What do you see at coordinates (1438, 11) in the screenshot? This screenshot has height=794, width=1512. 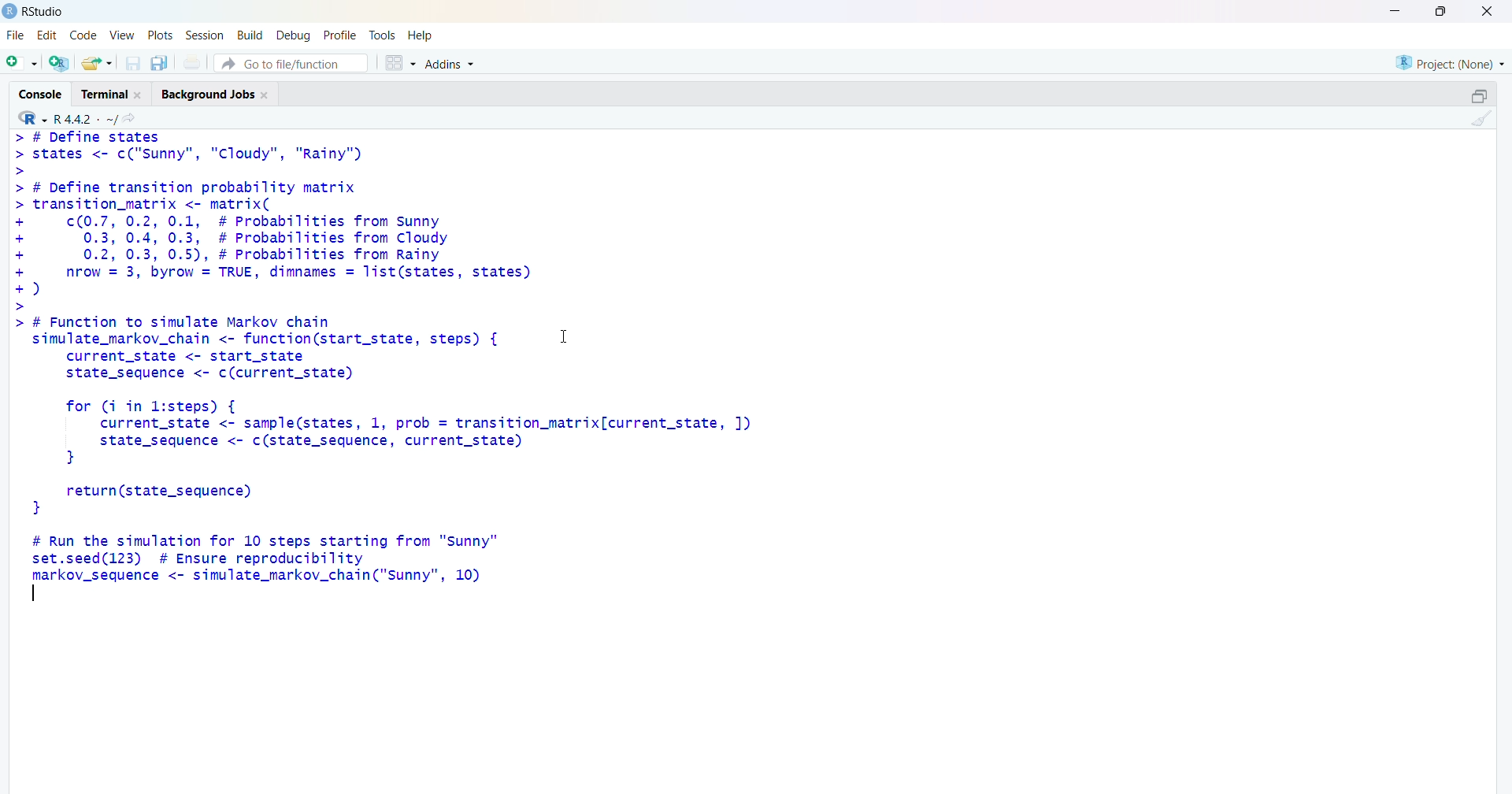 I see `maximize` at bounding box center [1438, 11].